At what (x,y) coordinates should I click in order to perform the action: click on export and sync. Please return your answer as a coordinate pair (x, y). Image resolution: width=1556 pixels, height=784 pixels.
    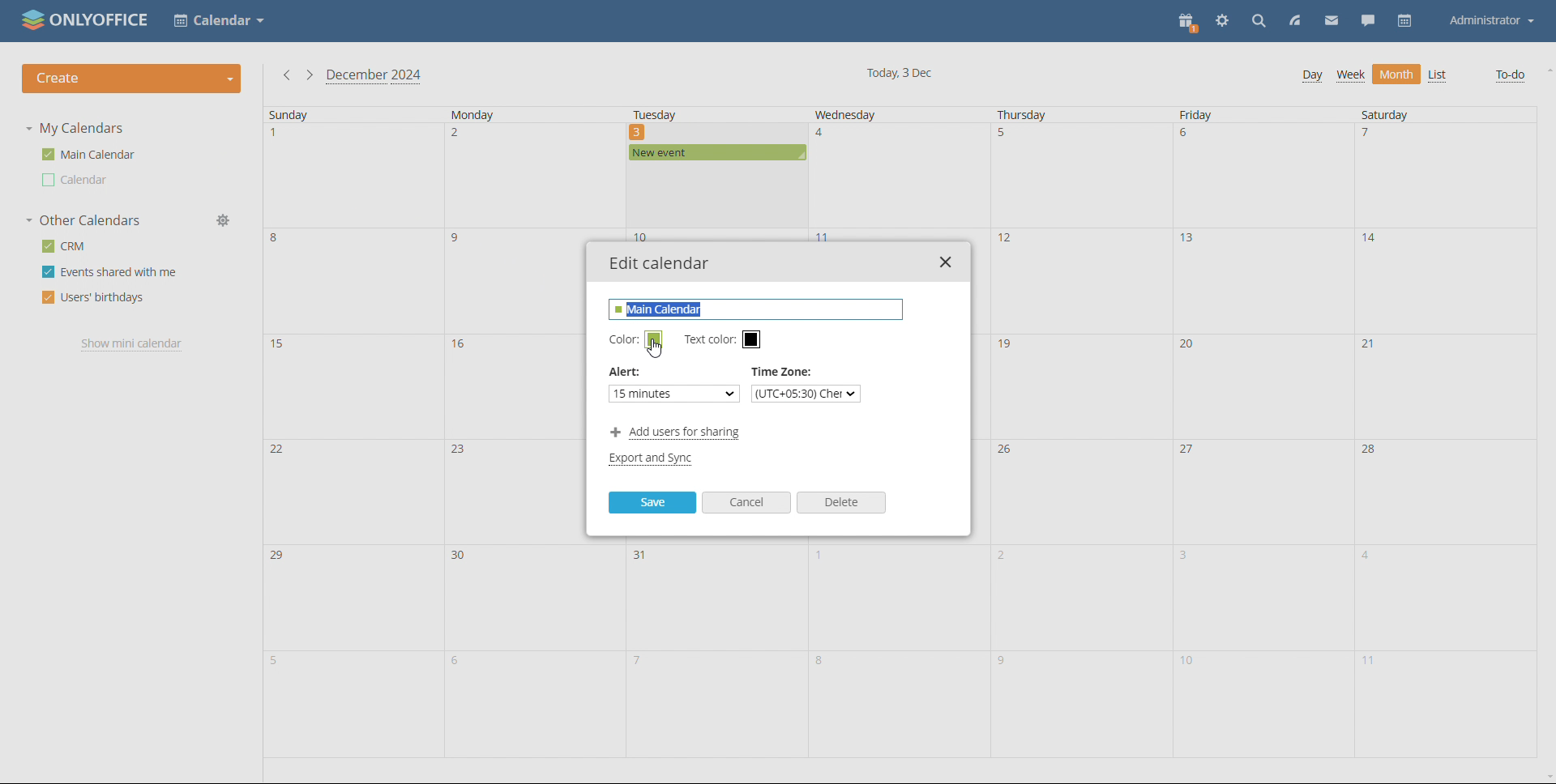
    Looking at the image, I should click on (650, 459).